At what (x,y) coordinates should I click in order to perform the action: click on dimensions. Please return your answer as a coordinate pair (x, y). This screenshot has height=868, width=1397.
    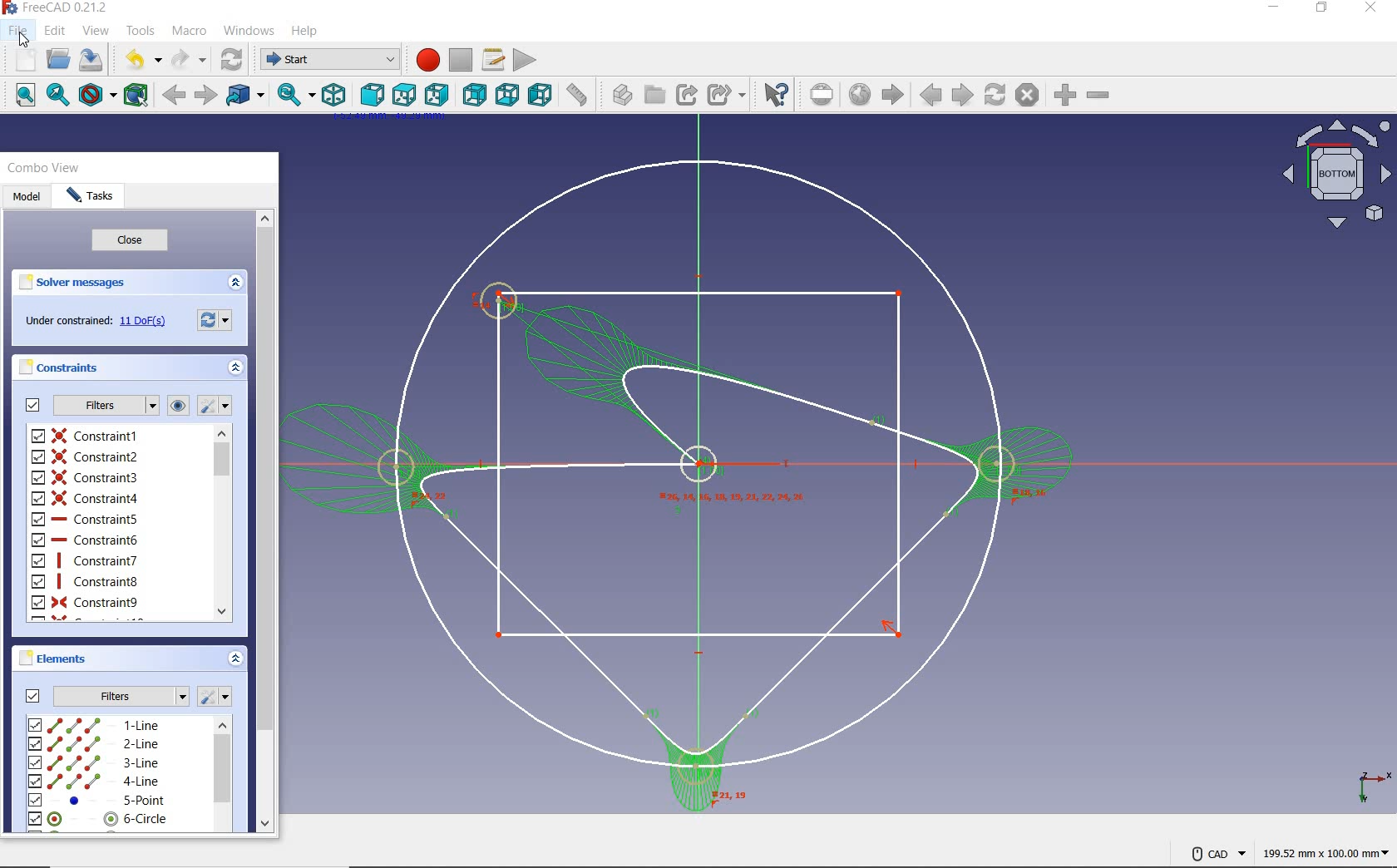
    Looking at the image, I should click on (1324, 855).